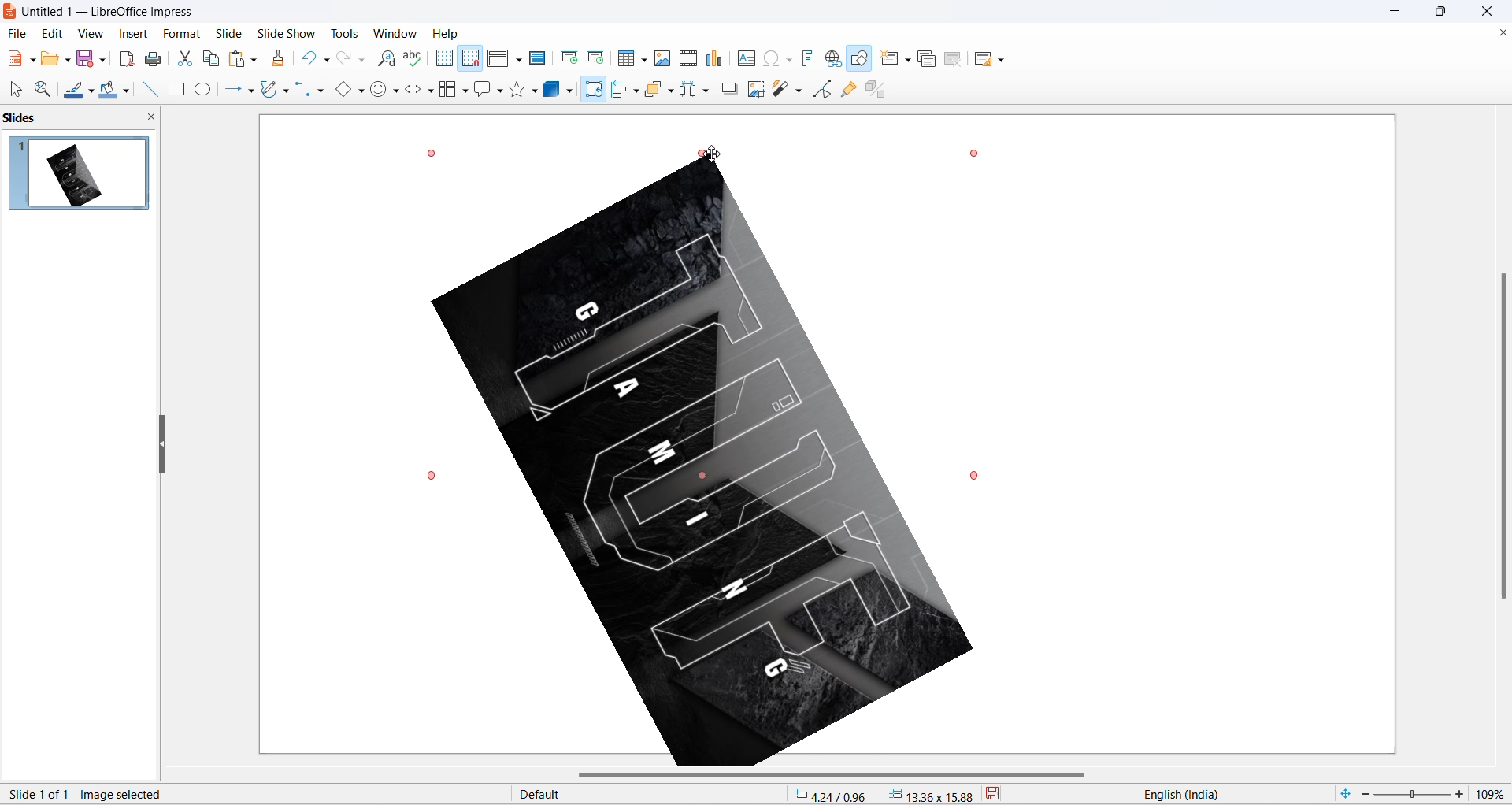 This screenshot has width=1512, height=805. Describe the element at coordinates (571, 58) in the screenshot. I see `start at first slide` at that location.